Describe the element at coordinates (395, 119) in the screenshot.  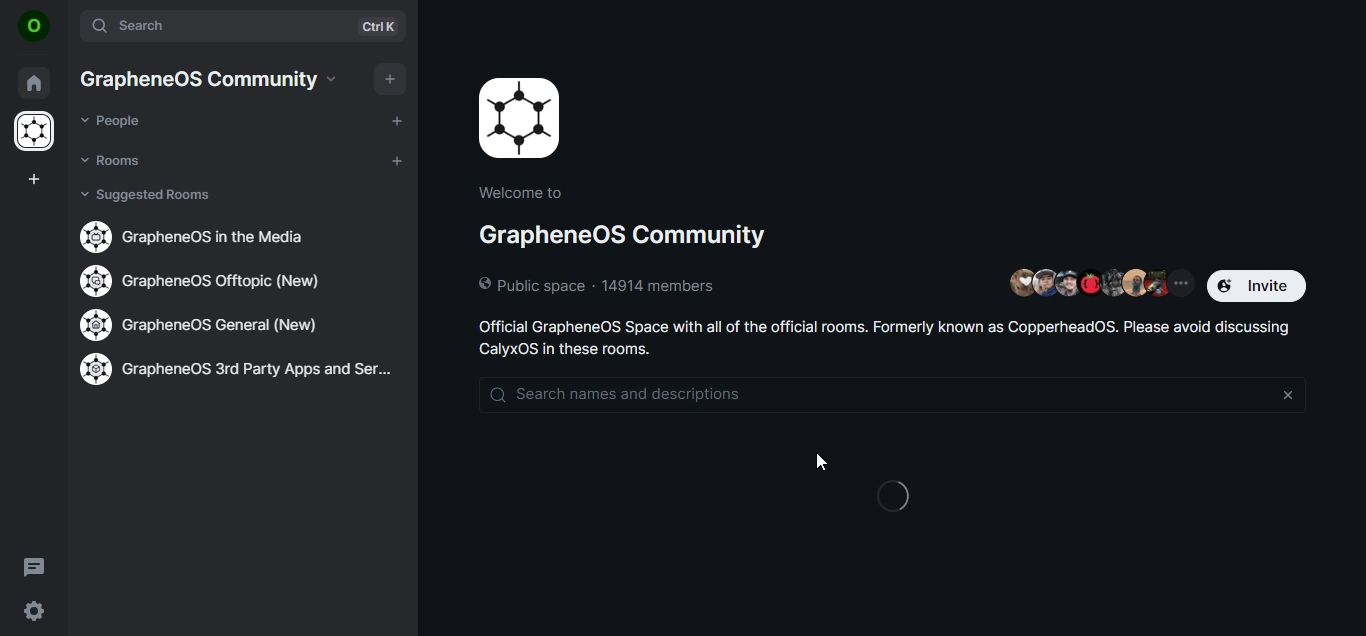
I see `start chat` at that location.